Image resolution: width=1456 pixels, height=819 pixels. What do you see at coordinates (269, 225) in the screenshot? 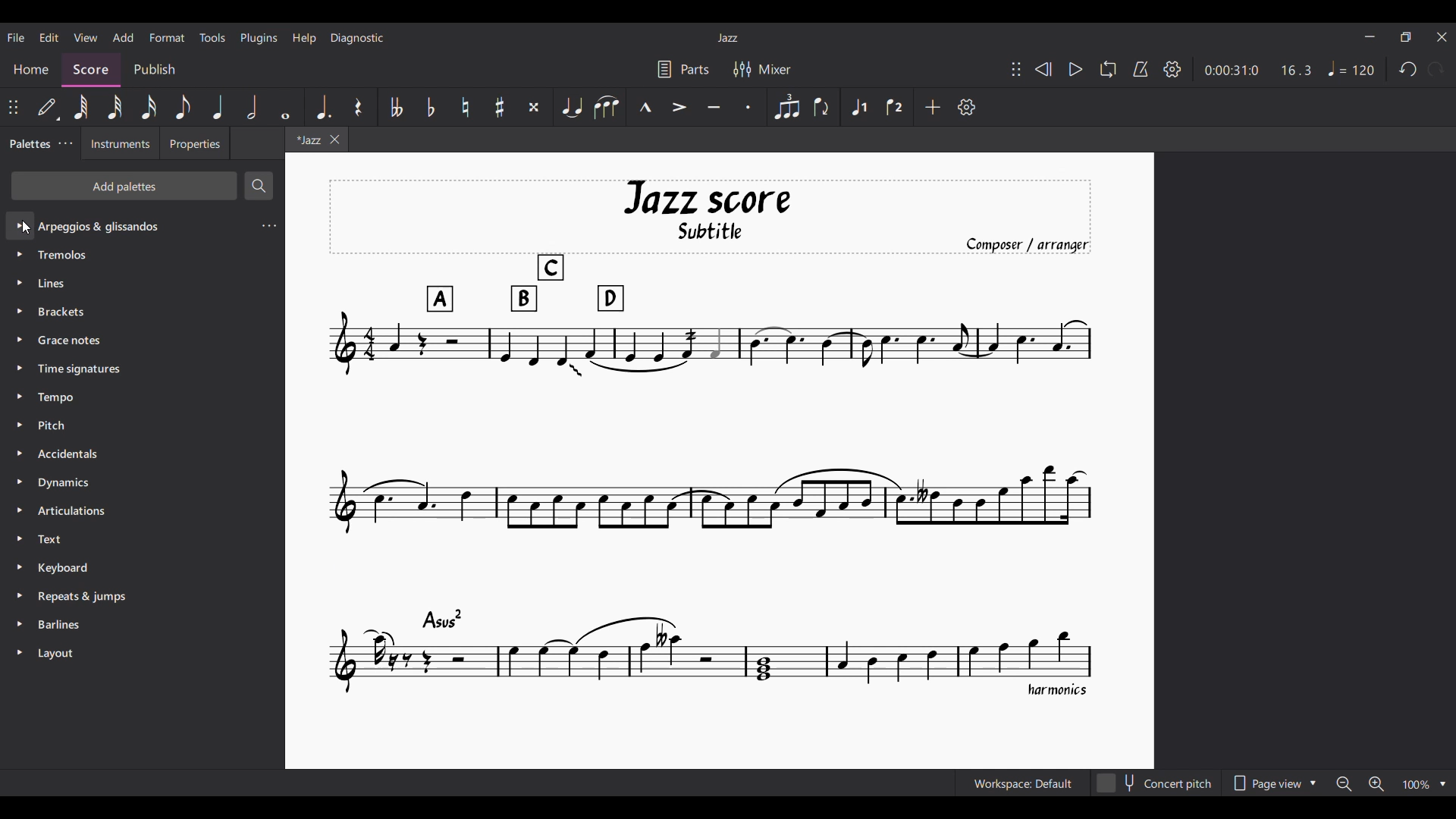
I see `Settings for current palette selected` at bounding box center [269, 225].